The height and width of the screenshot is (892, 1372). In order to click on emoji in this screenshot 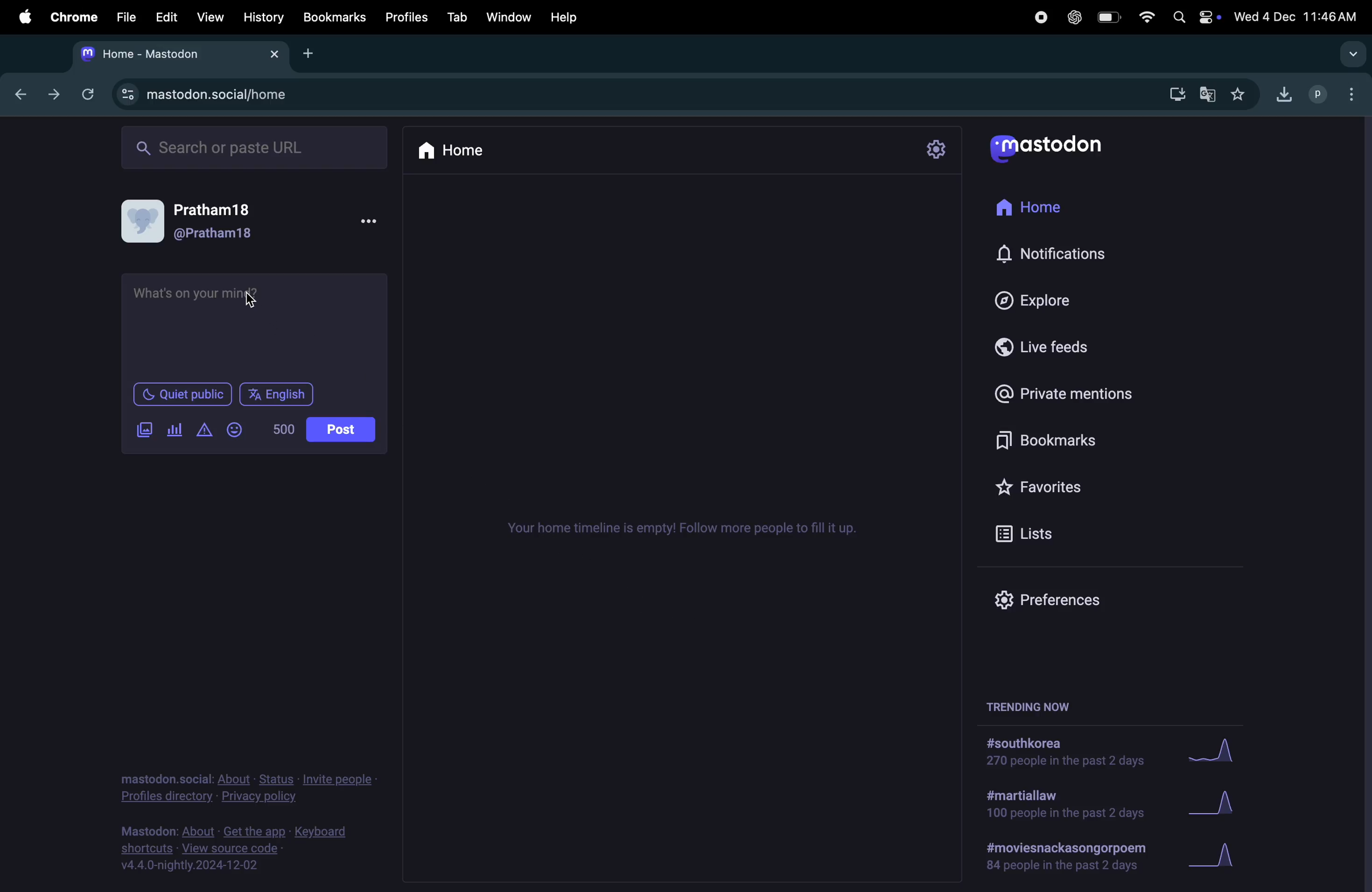, I will do `click(240, 429)`.